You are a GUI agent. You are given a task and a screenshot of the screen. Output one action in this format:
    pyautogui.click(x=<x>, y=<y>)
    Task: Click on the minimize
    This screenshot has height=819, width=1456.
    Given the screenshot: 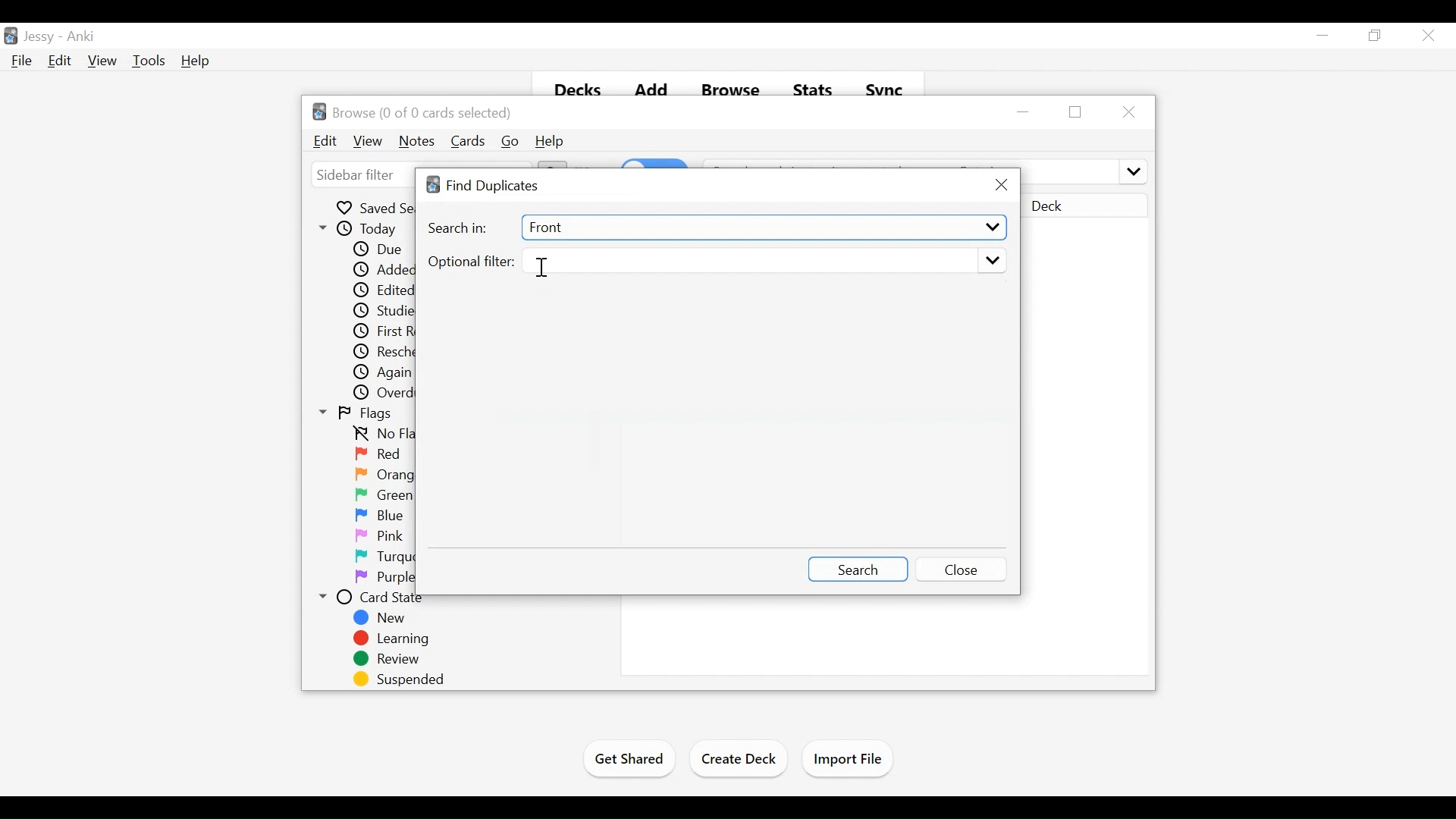 What is the action you would take?
    pyautogui.click(x=1323, y=35)
    